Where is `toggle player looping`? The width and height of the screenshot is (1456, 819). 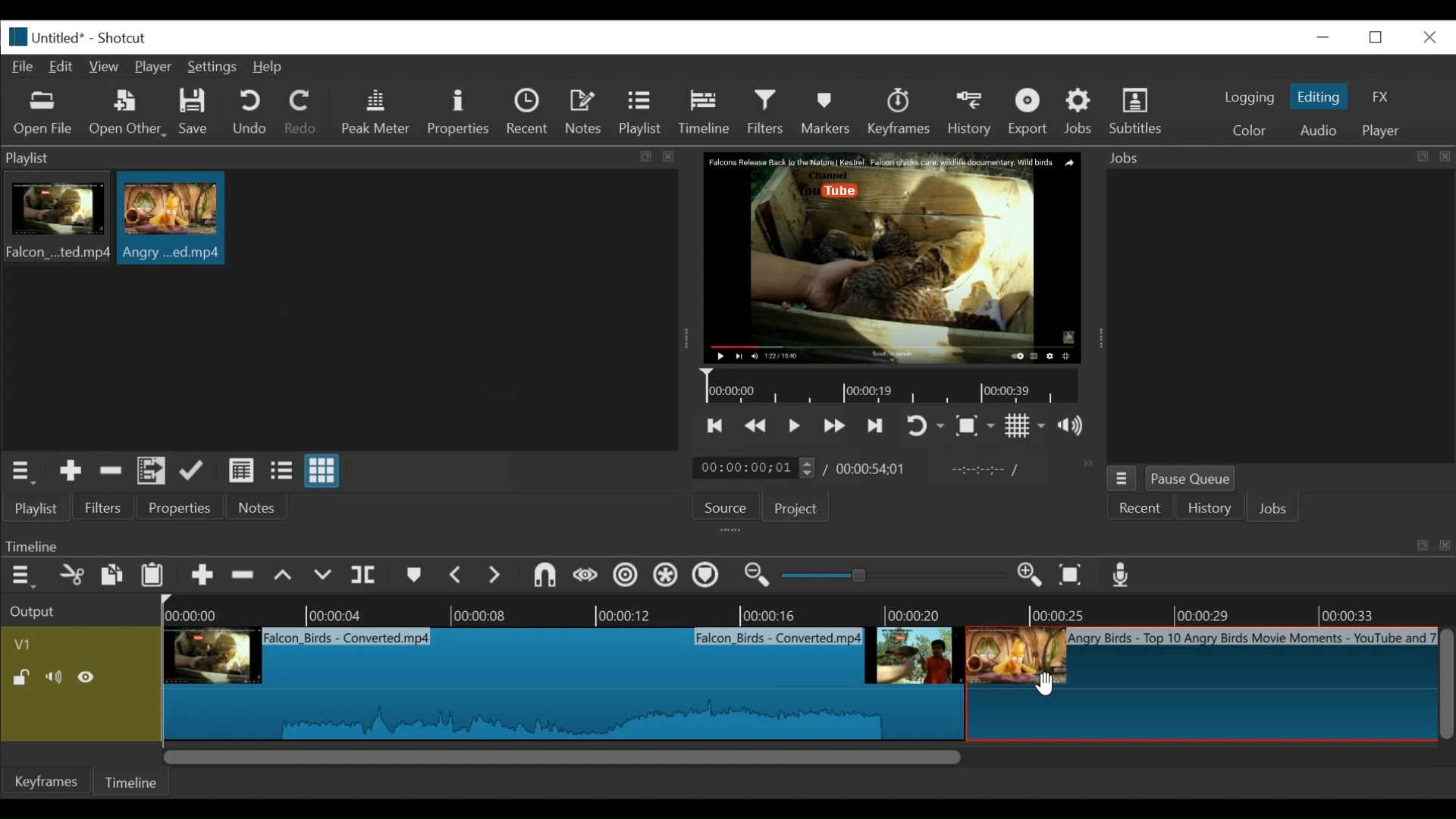 toggle player looping is located at coordinates (925, 427).